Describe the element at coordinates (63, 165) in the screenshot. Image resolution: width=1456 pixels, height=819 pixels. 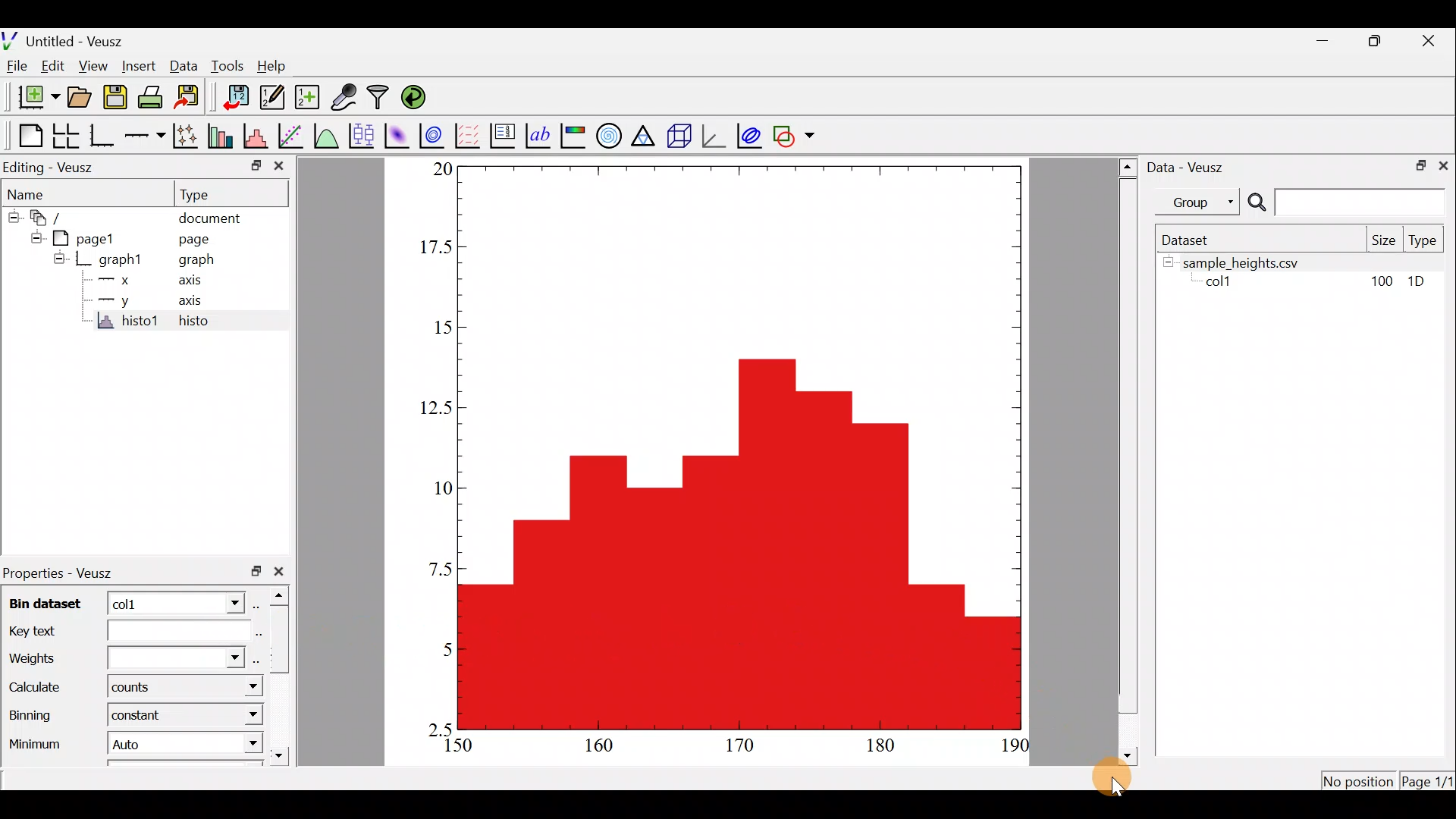
I see `Editing - Veusz` at that location.